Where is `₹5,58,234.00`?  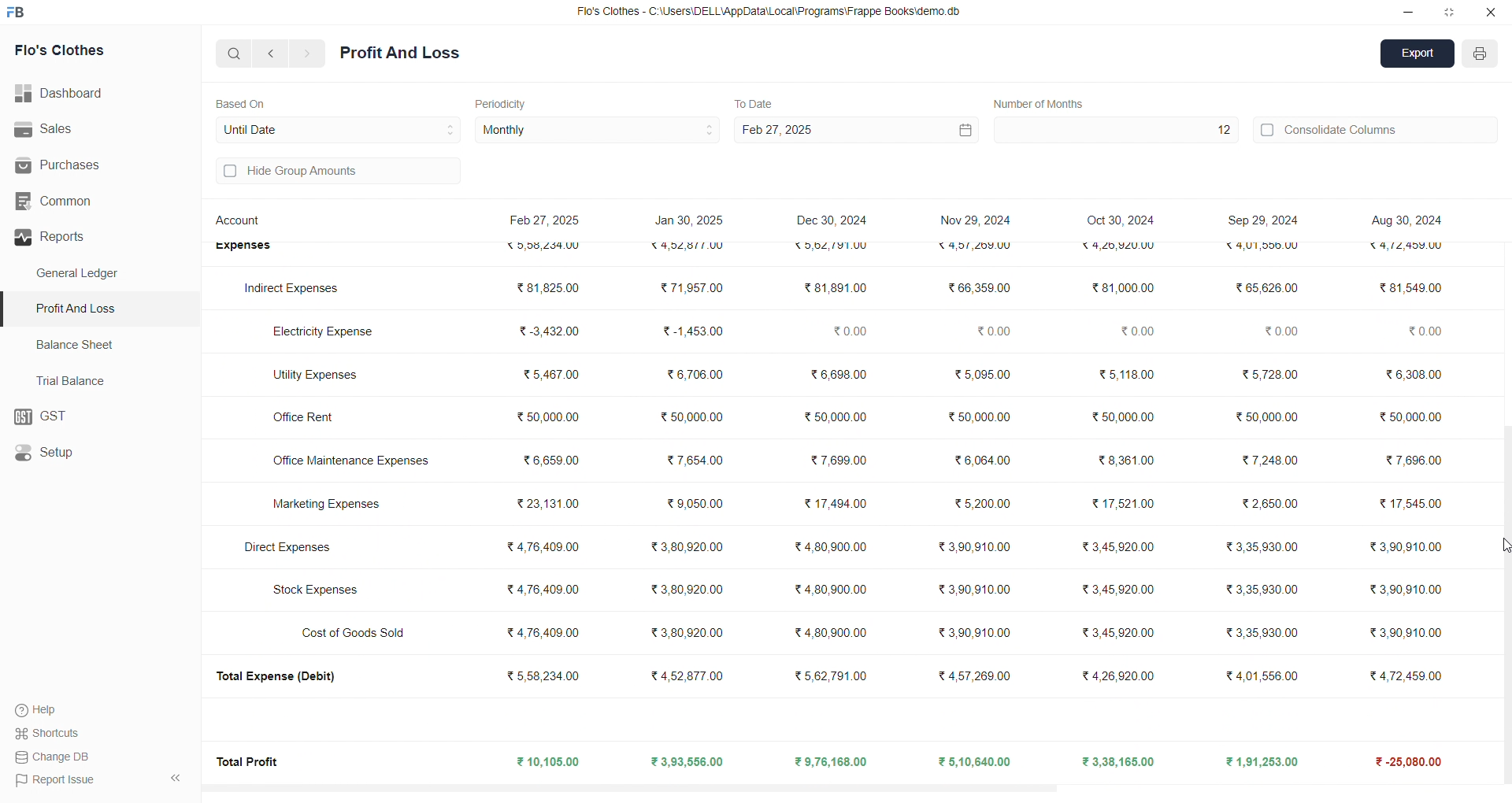 ₹5,58,234.00 is located at coordinates (542, 675).